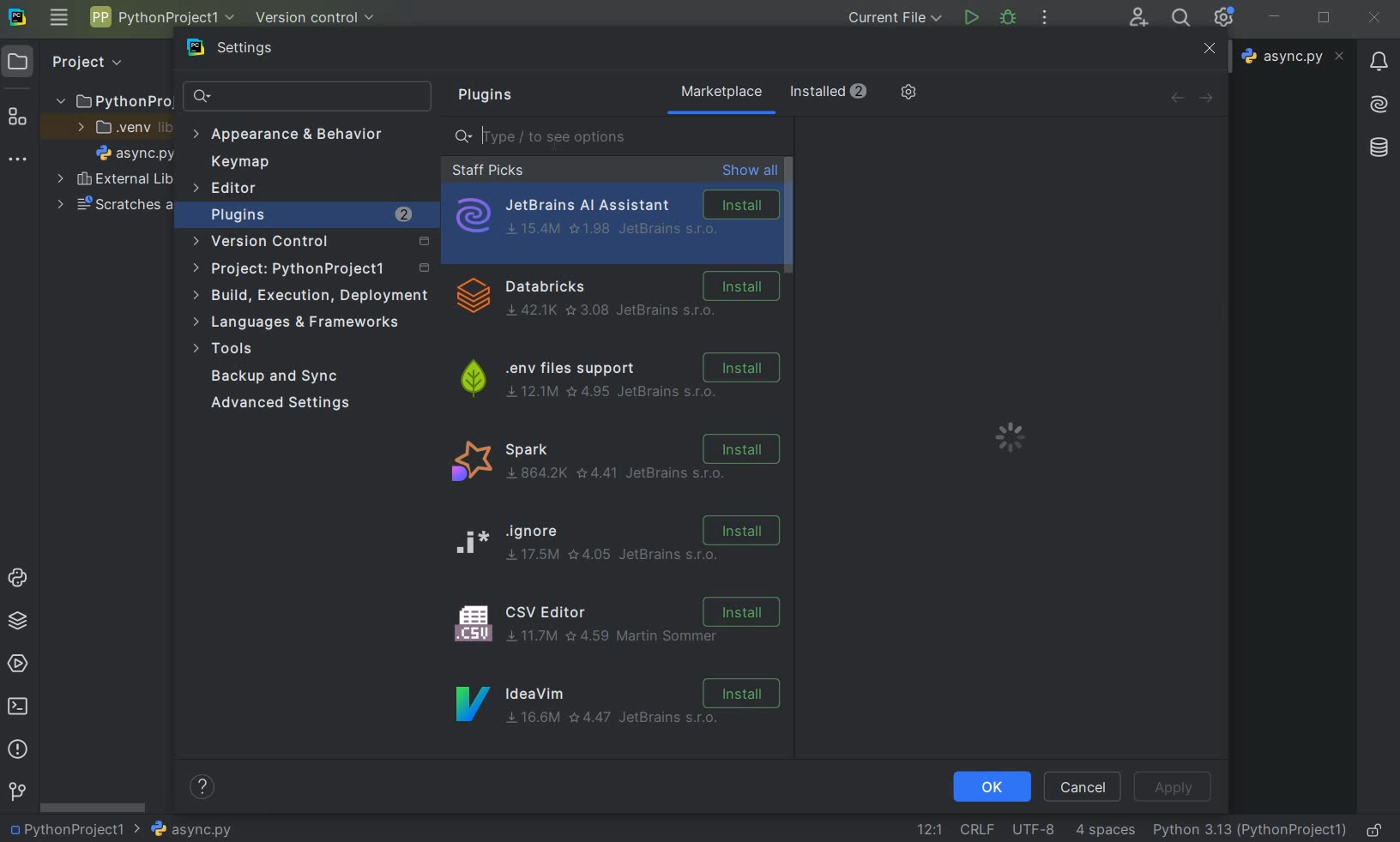  Describe the element at coordinates (1380, 63) in the screenshot. I see `notifications` at that location.